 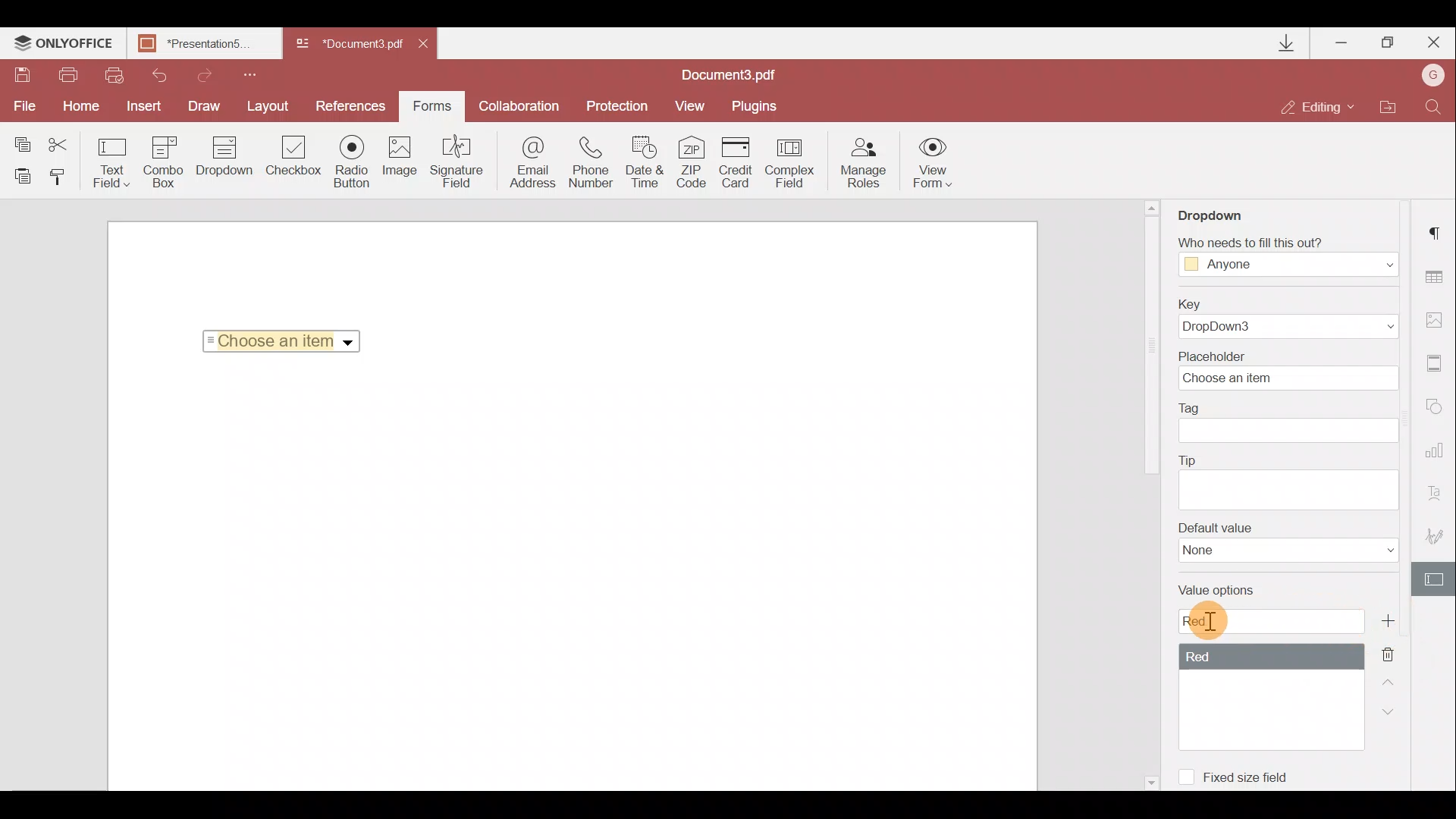 I want to click on Undo, so click(x=158, y=76).